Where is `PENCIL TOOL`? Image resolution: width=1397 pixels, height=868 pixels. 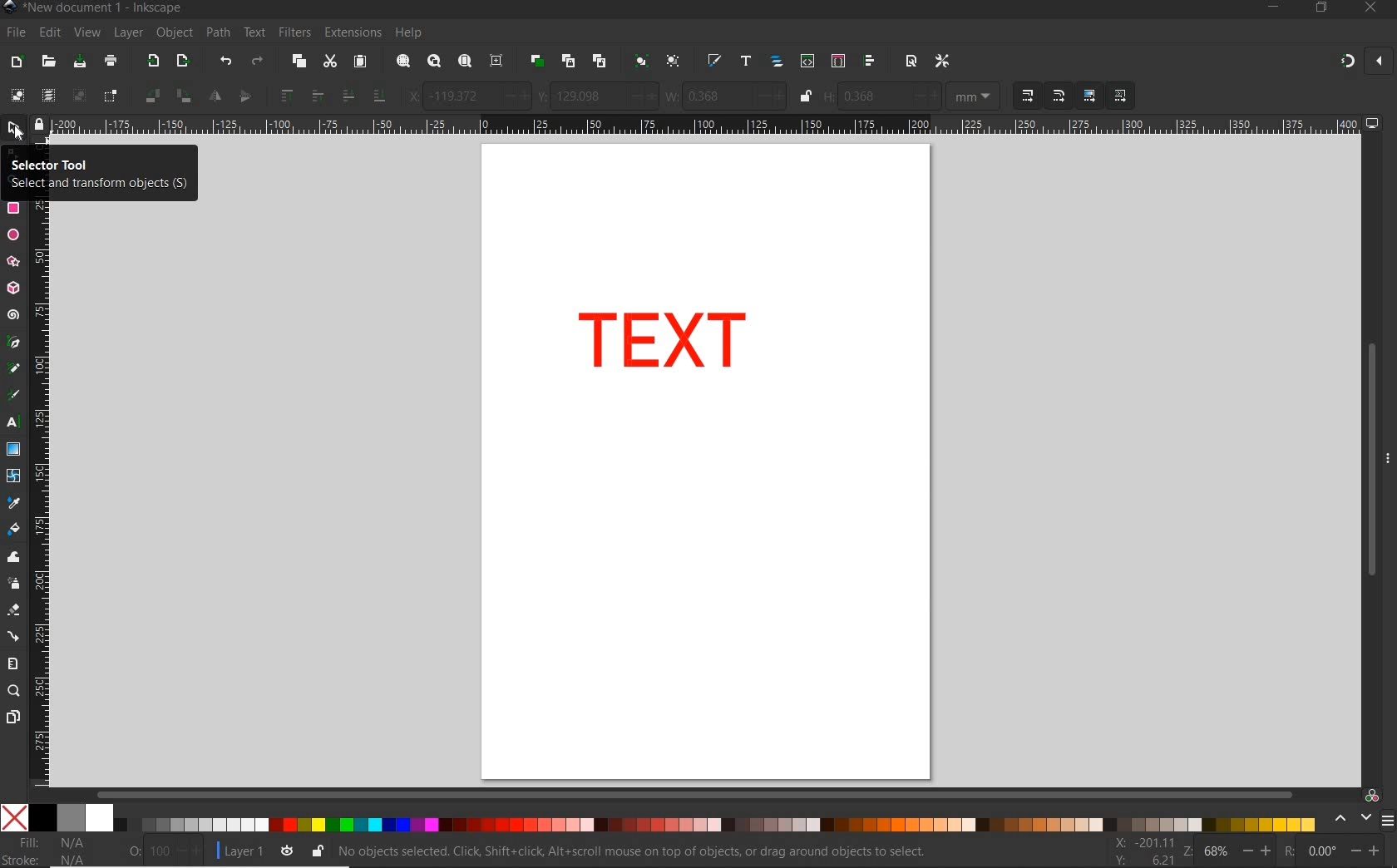
PENCIL TOOL is located at coordinates (13, 369).